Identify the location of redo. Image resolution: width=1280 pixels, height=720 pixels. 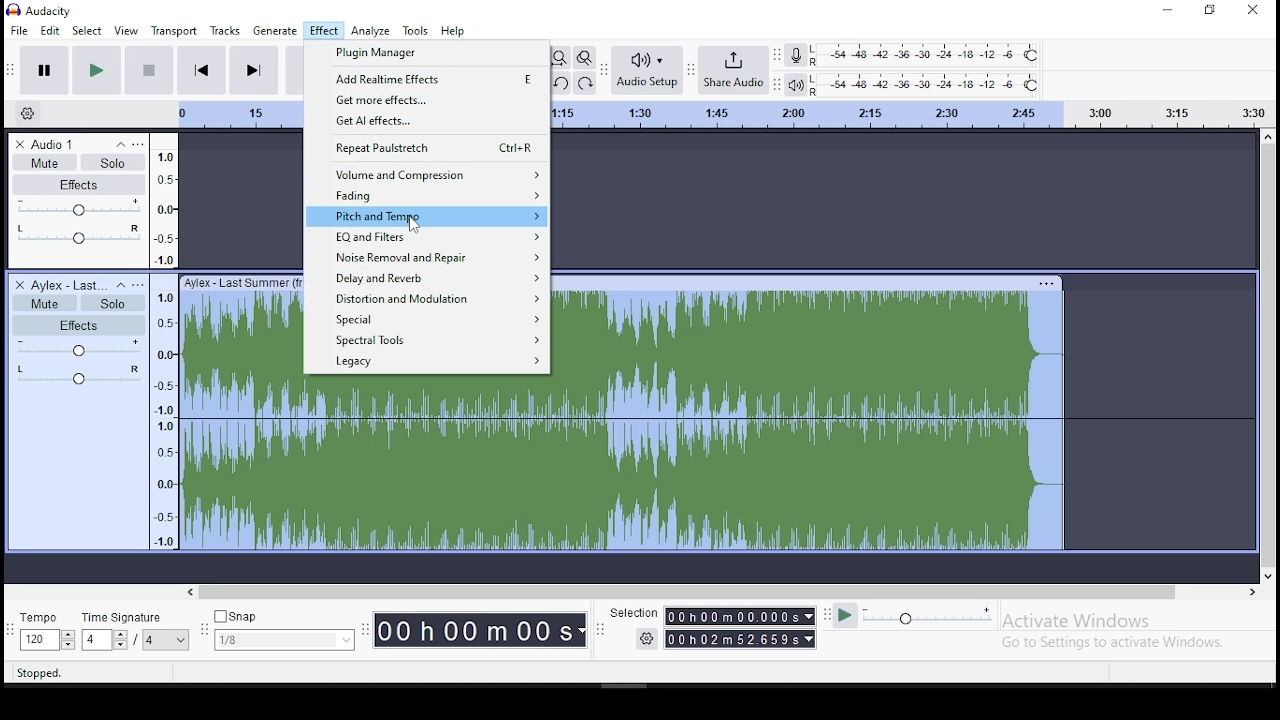
(588, 84).